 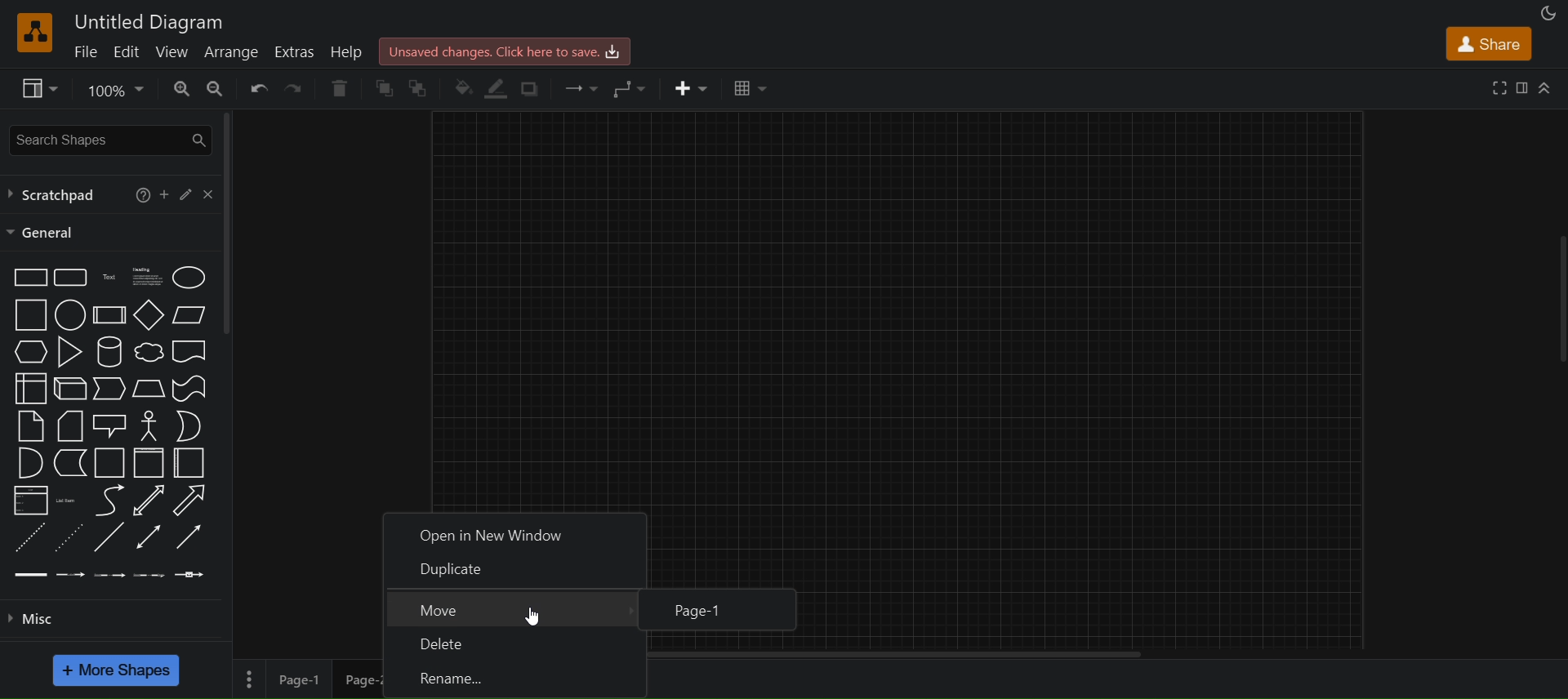 I want to click on note, so click(x=29, y=425).